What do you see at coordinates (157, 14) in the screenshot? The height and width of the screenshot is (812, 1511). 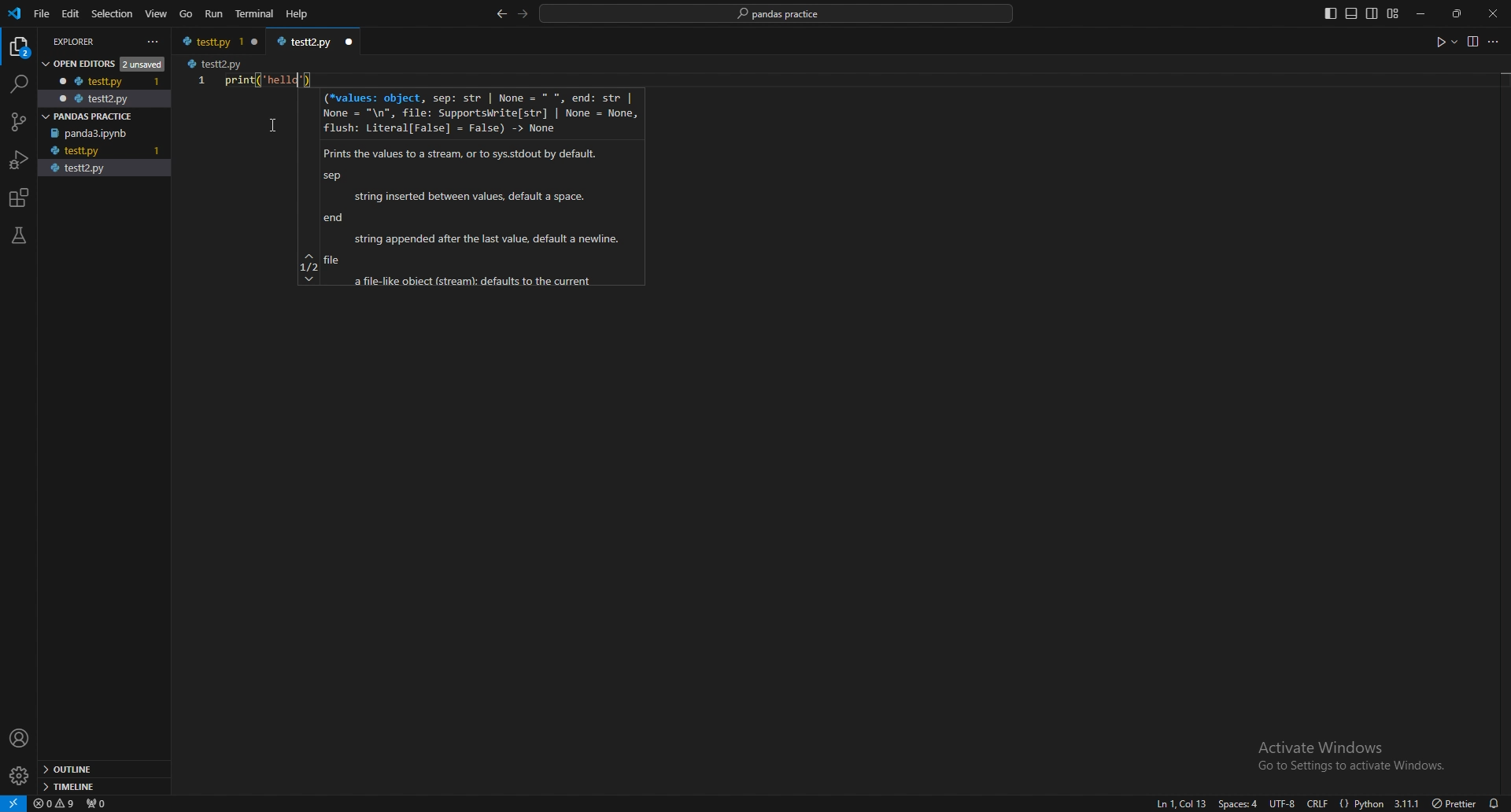 I see `view` at bounding box center [157, 14].